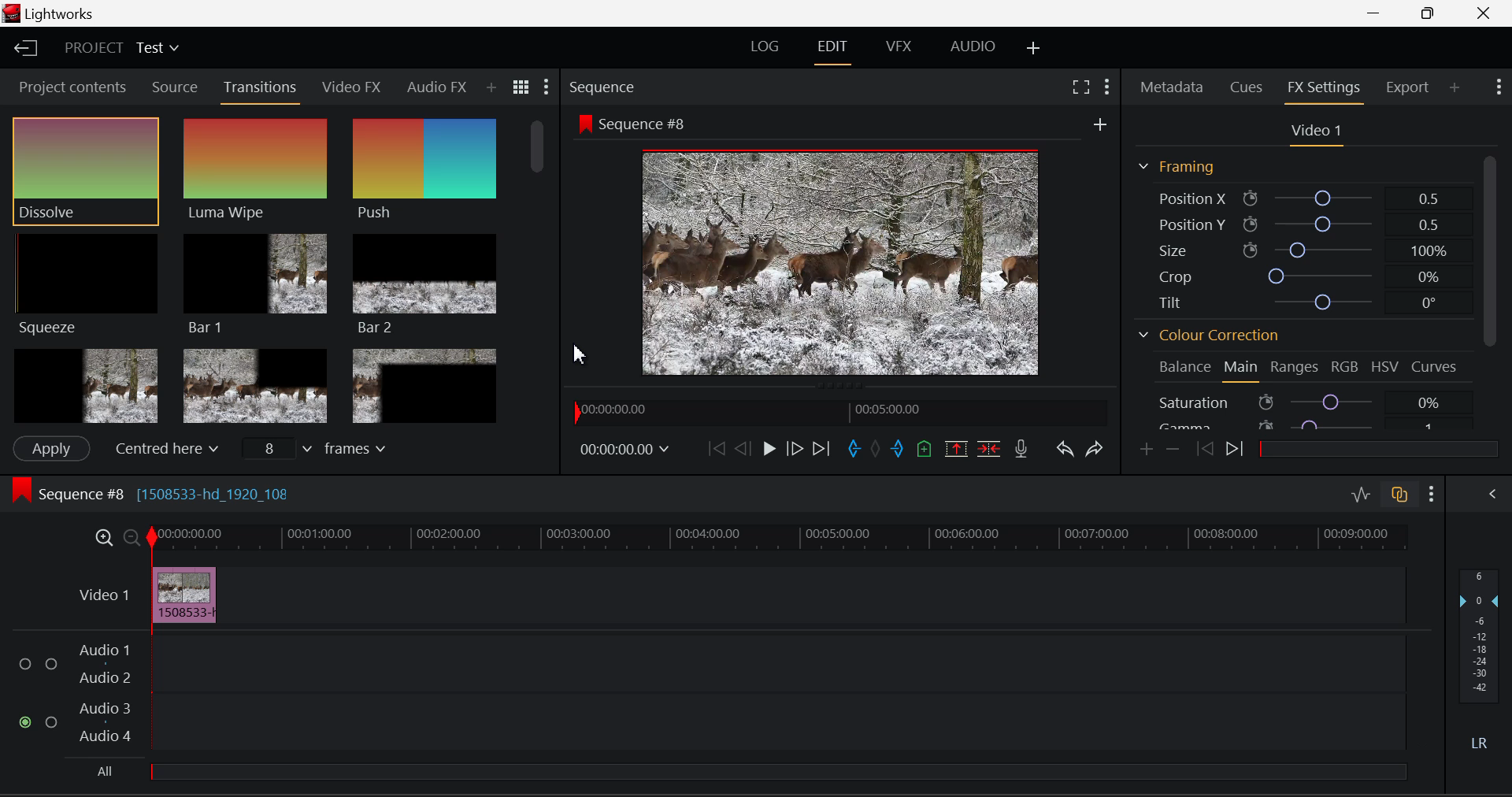  I want to click on Position X, so click(1299, 197).